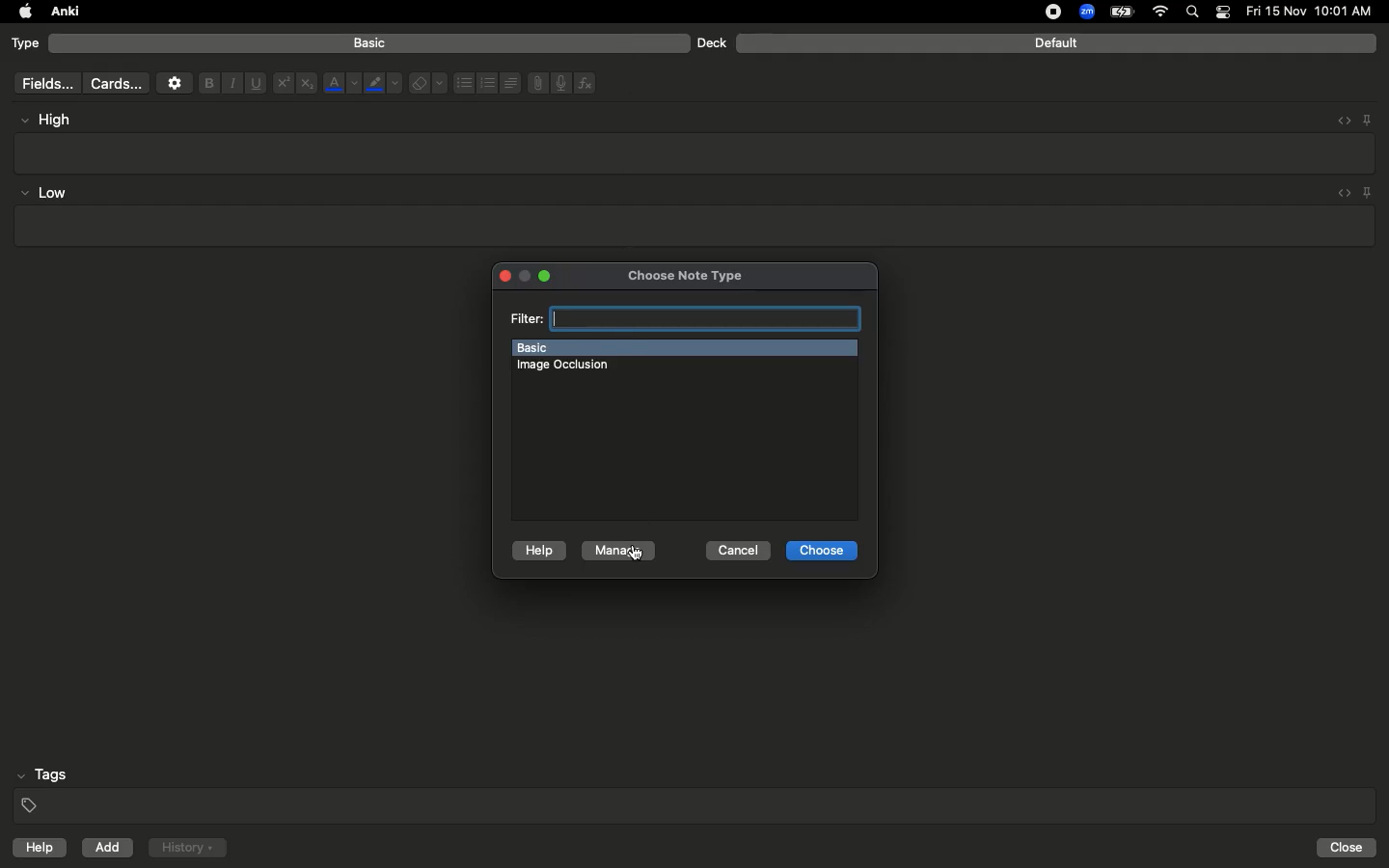 This screenshot has height=868, width=1389. Describe the element at coordinates (1349, 848) in the screenshot. I see `Close` at that location.